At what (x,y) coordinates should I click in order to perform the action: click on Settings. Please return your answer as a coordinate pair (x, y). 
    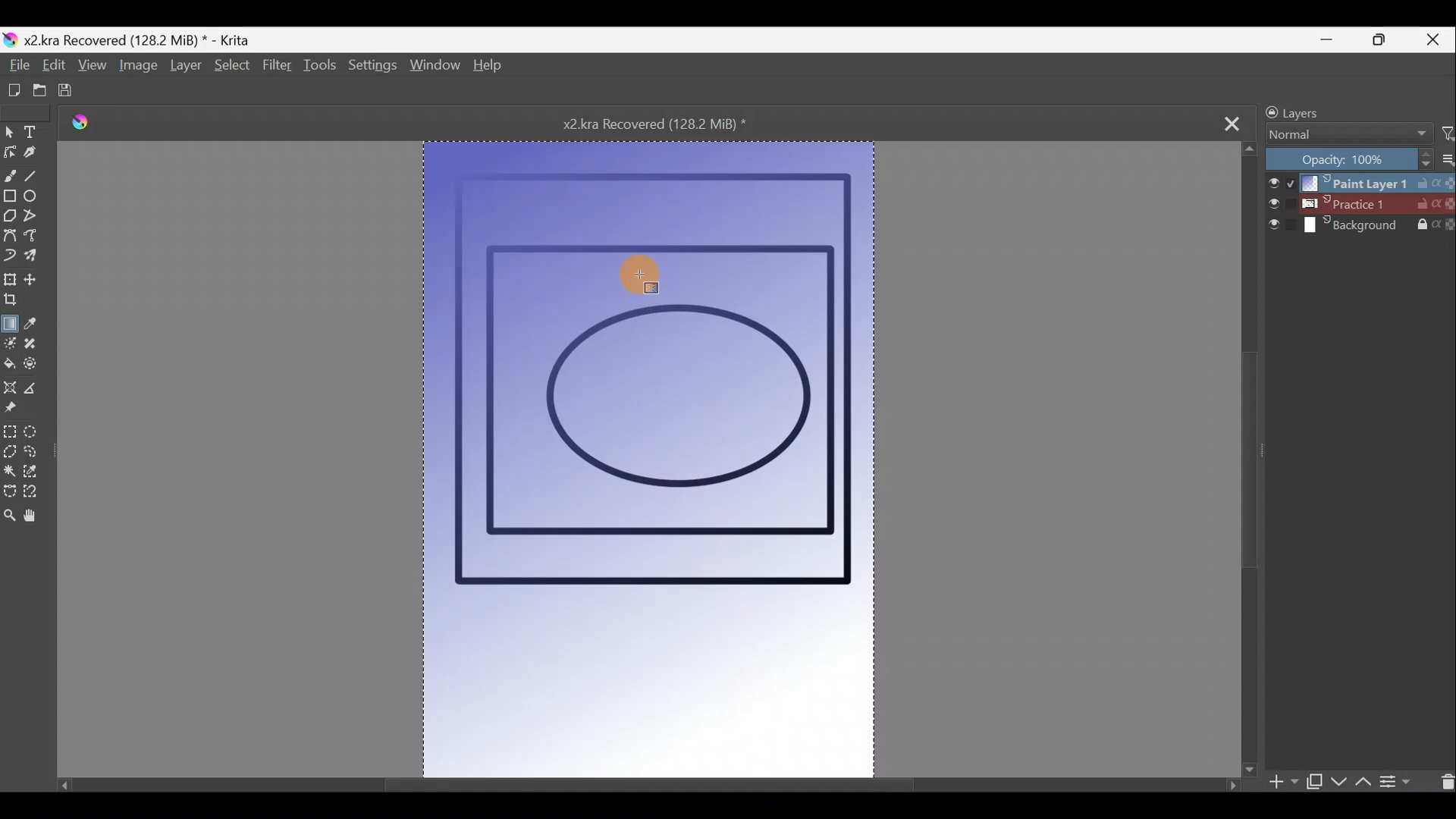
    Looking at the image, I should click on (374, 70).